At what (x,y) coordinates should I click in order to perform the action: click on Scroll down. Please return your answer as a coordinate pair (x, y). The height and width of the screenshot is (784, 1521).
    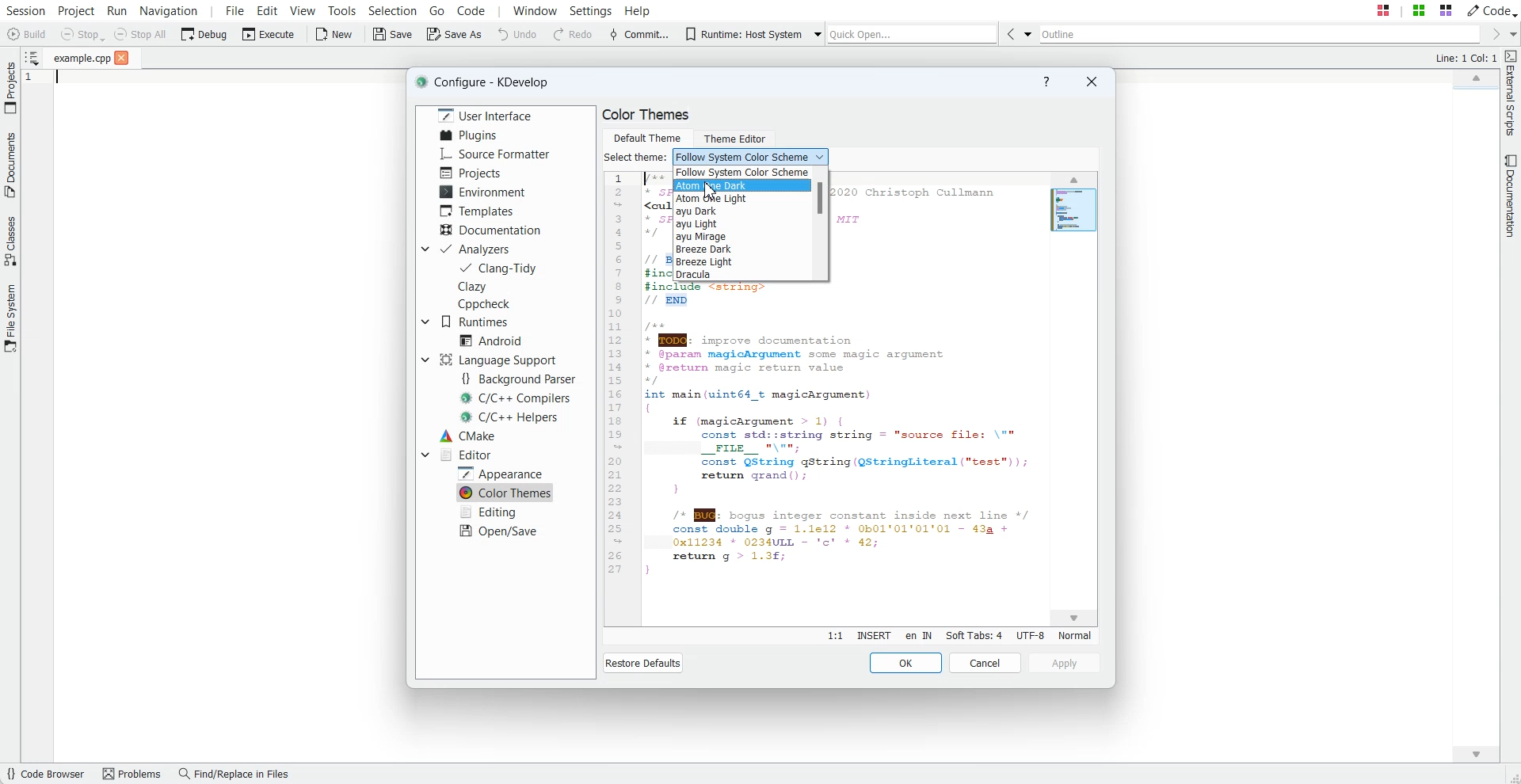
    Looking at the image, I should click on (1076, 618).